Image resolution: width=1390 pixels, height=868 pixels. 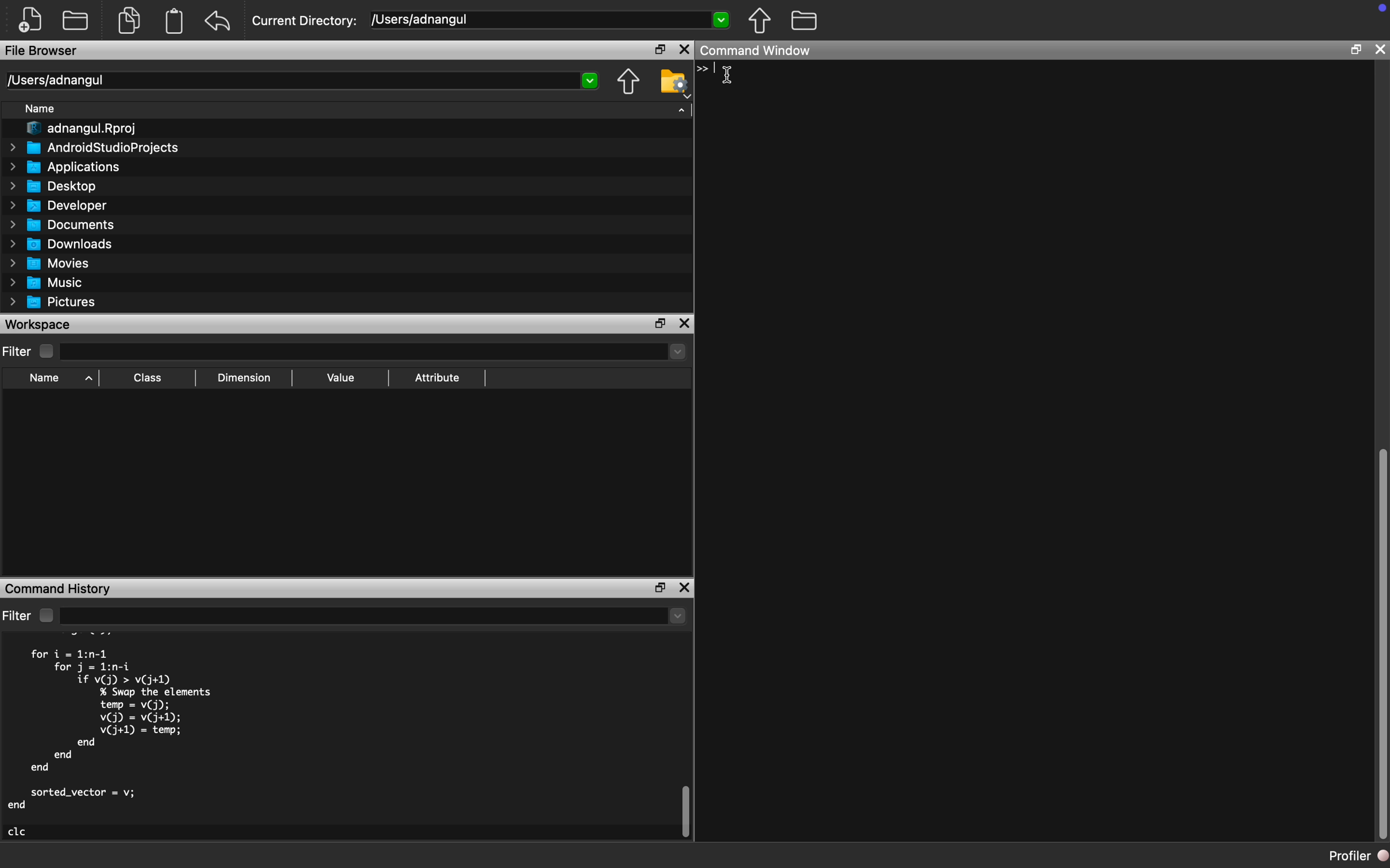 What do you see at coordinates (46, 615) in the screenshot?
I see `Checkbox` at bounding box center [46, 615].